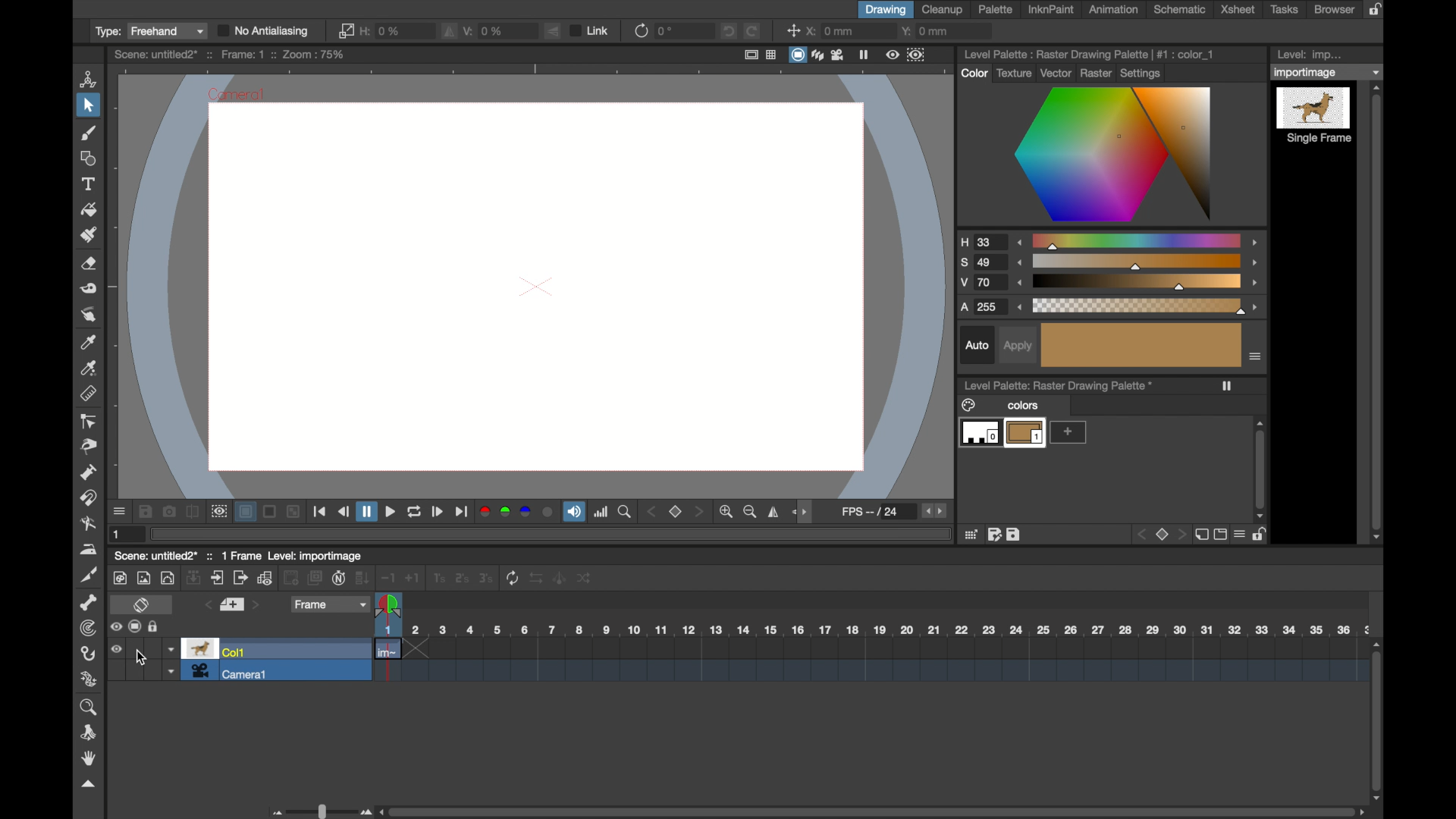 The width and height of the screenshot is (1456, 819). Describe the element at coordinates (88, 184) in the screenshot. I see `type tool` at that location.